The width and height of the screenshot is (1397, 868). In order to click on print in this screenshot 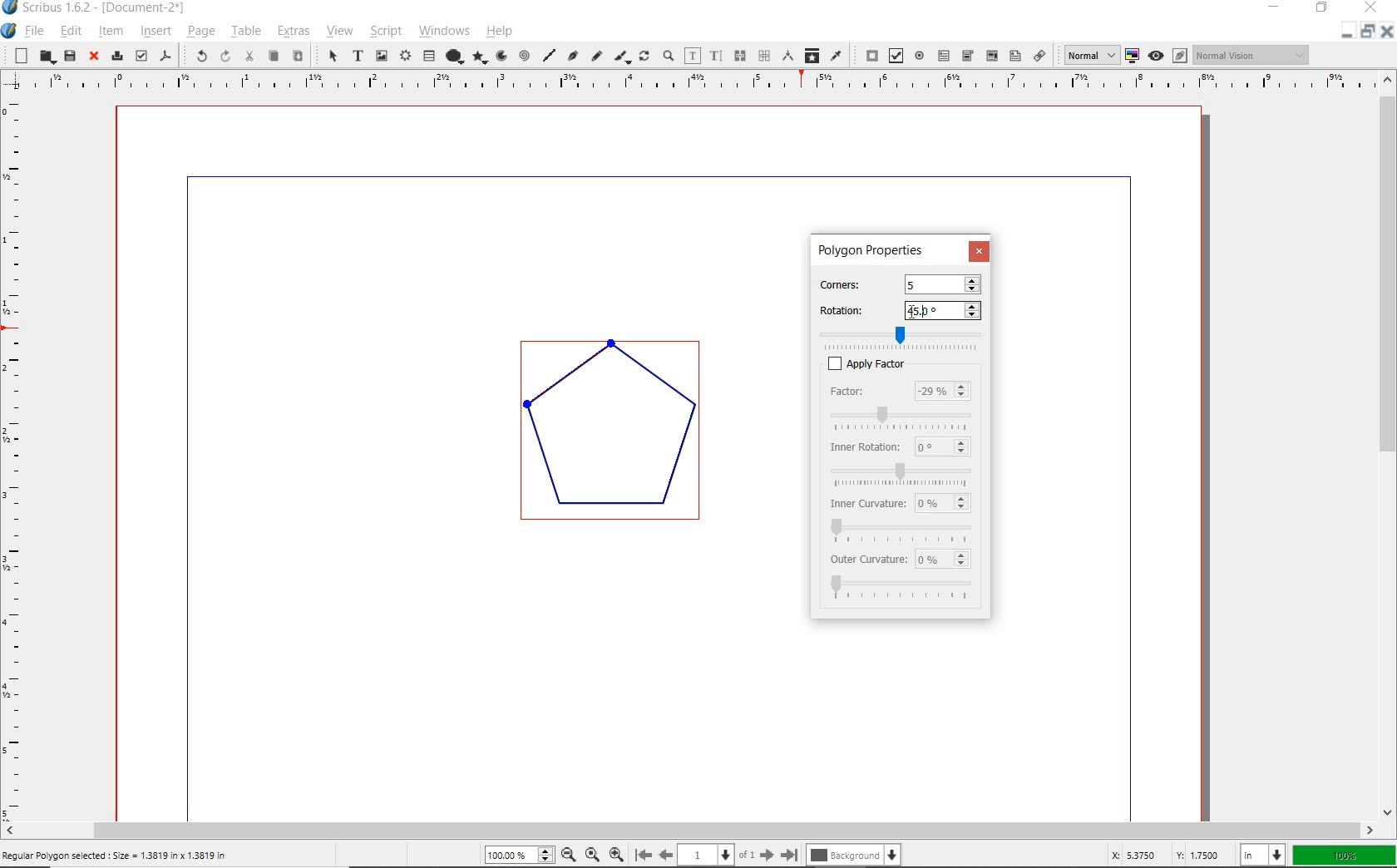, I will do `click(116, 56)`.